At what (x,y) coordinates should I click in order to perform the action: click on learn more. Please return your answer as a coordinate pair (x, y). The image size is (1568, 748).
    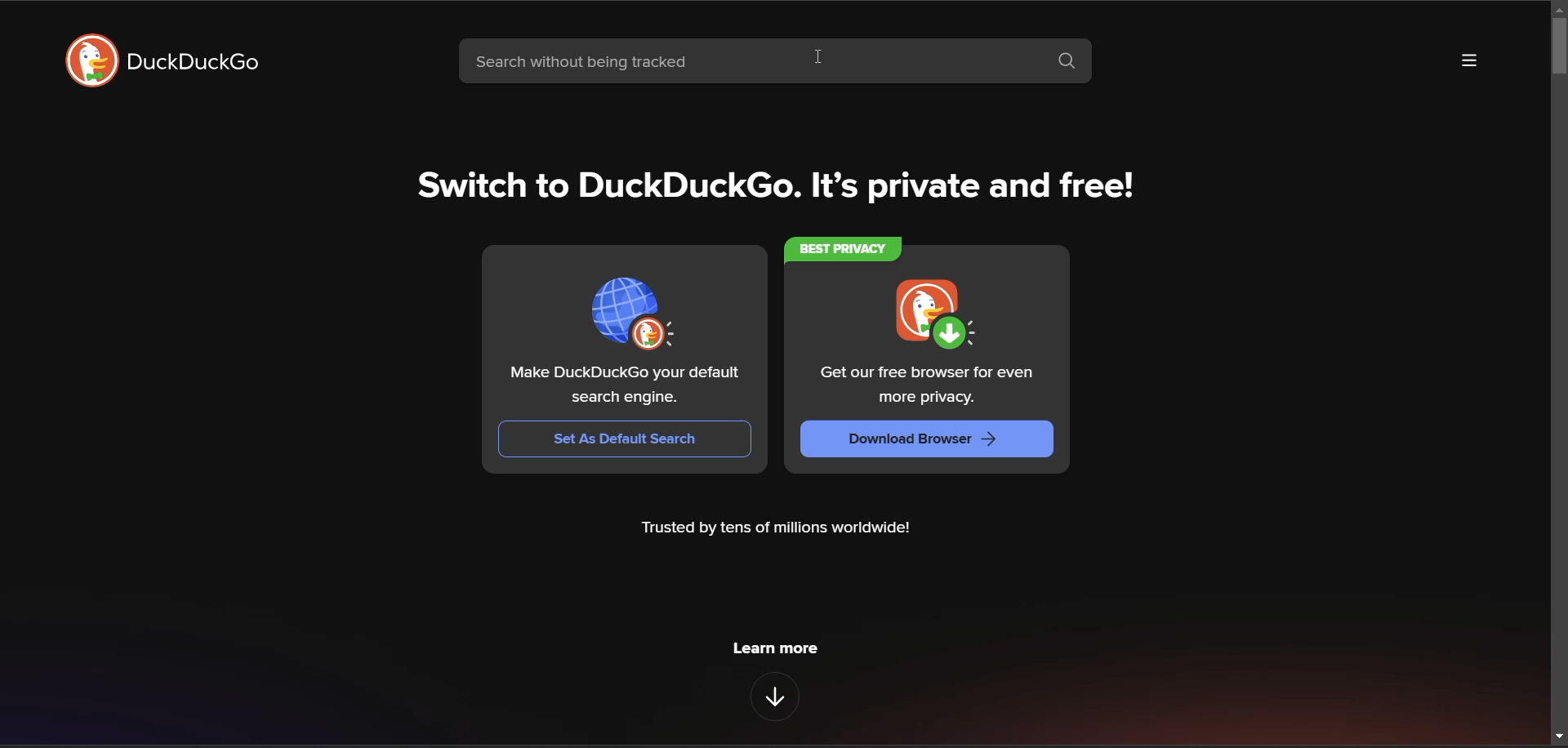
    Looking at the image, I should click on (775, 650).